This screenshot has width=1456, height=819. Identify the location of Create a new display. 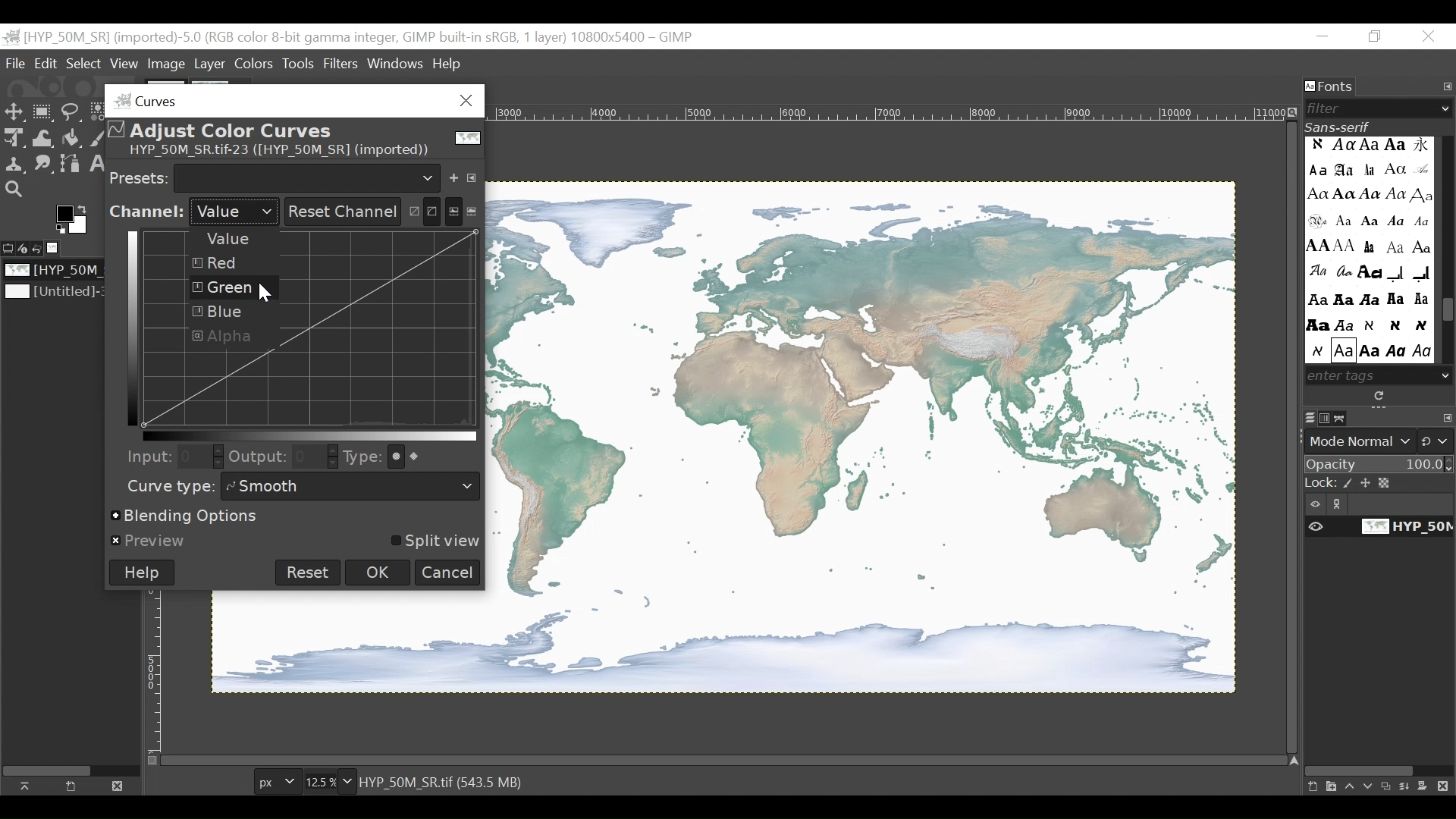
(71, 786).